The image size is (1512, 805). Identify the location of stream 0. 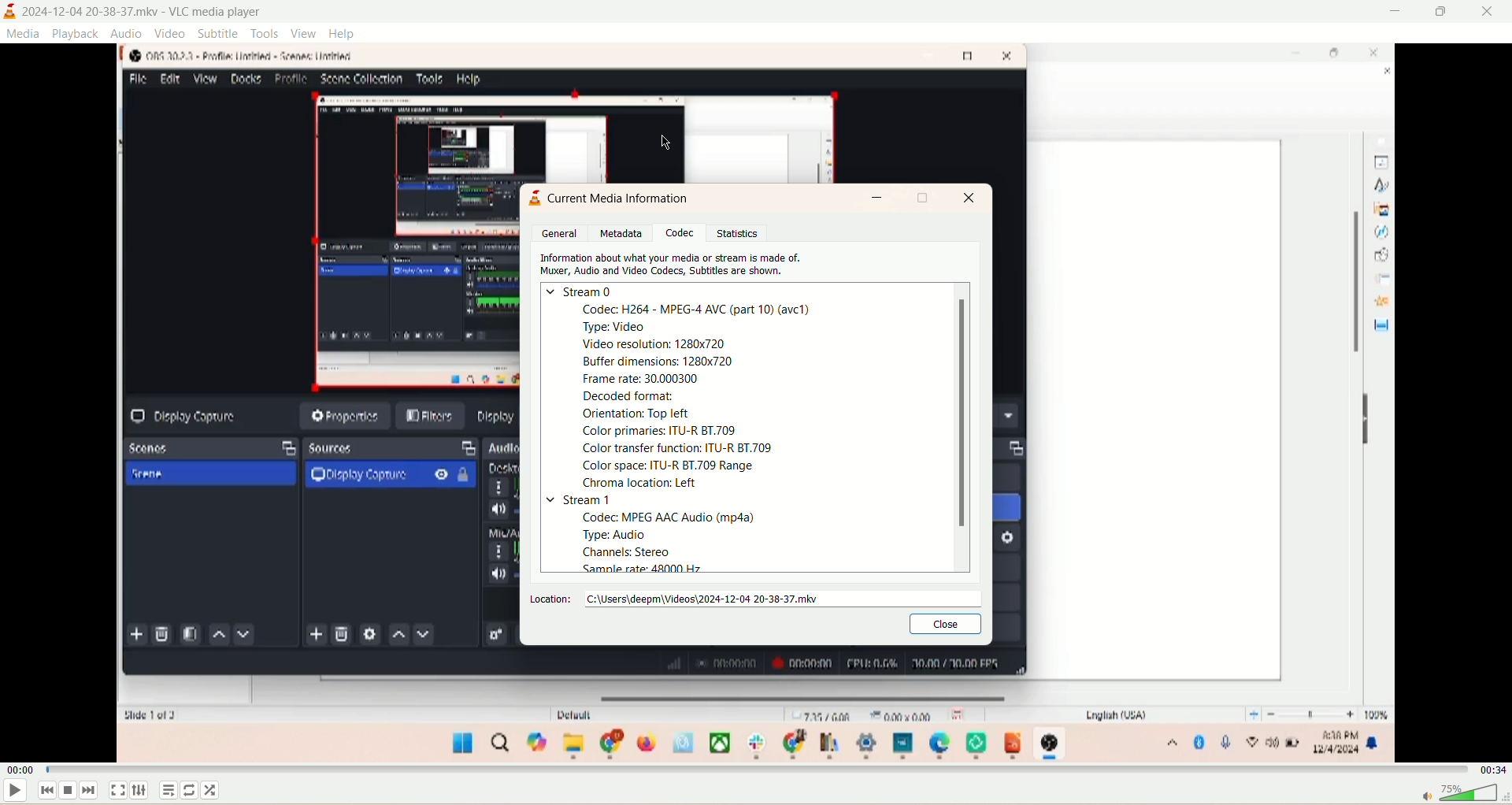
(582, 293).